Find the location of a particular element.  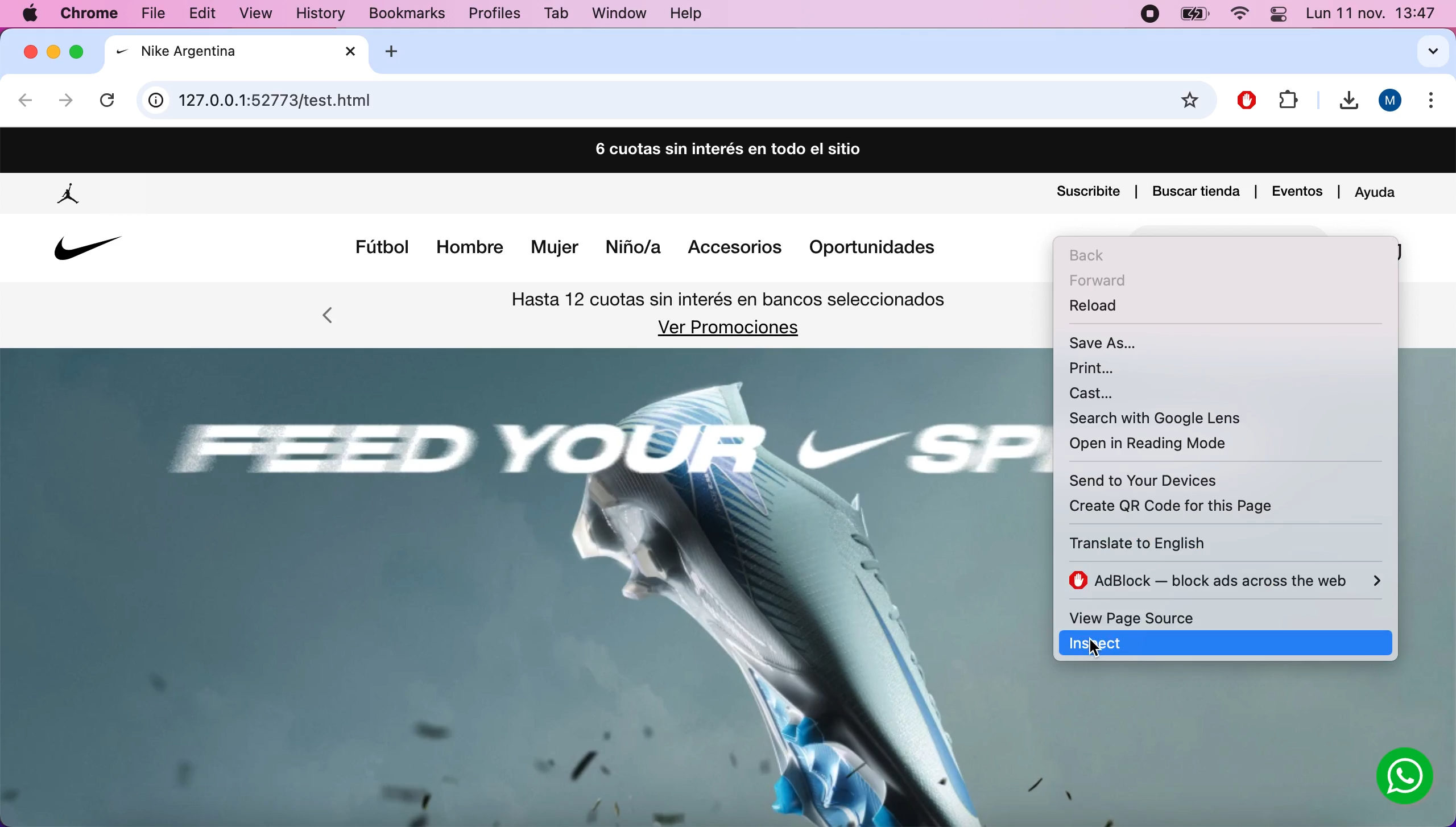

view page source is located at coordinates (1171, 617).